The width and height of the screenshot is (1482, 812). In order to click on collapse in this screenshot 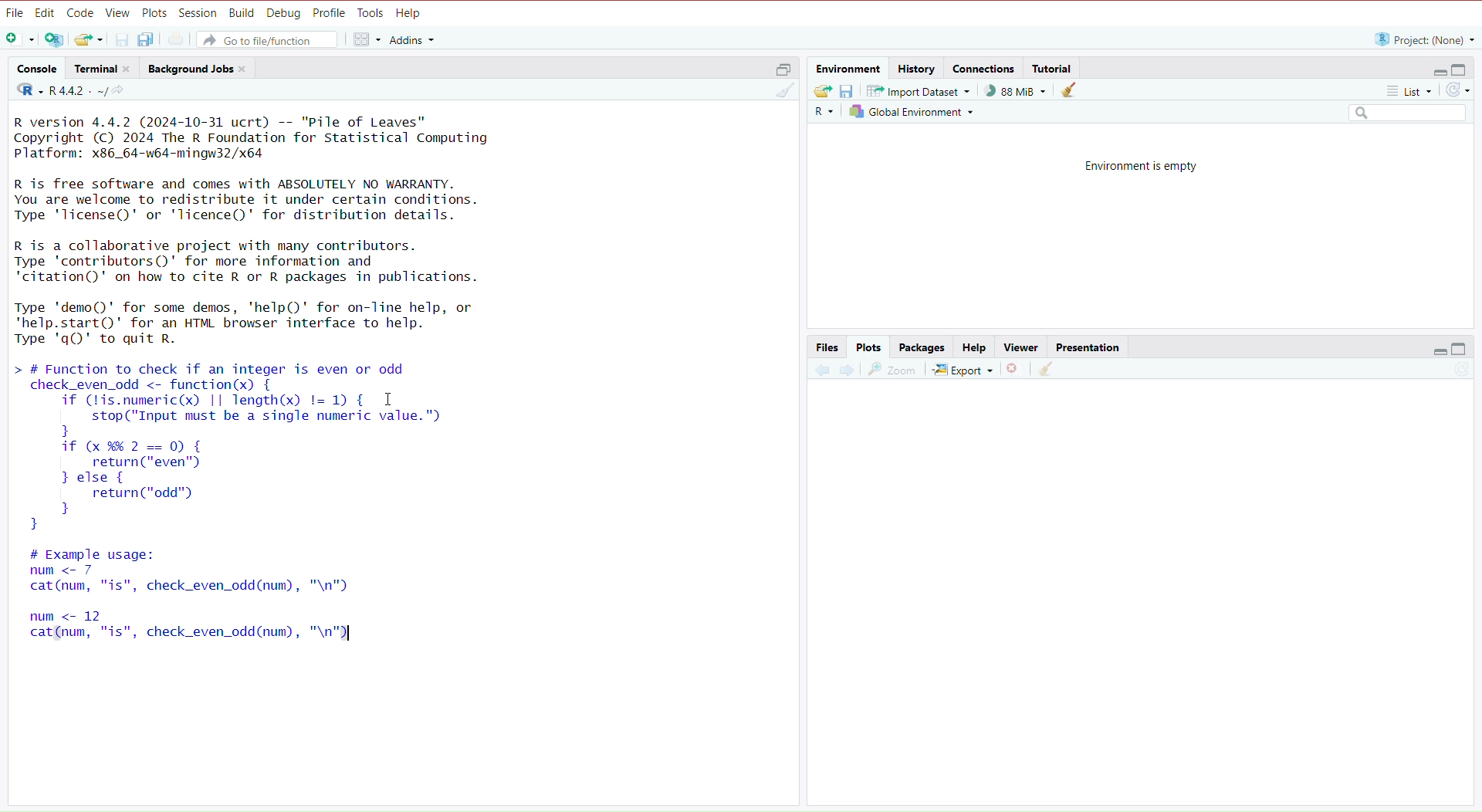, I will do `click(1463, 70)`.